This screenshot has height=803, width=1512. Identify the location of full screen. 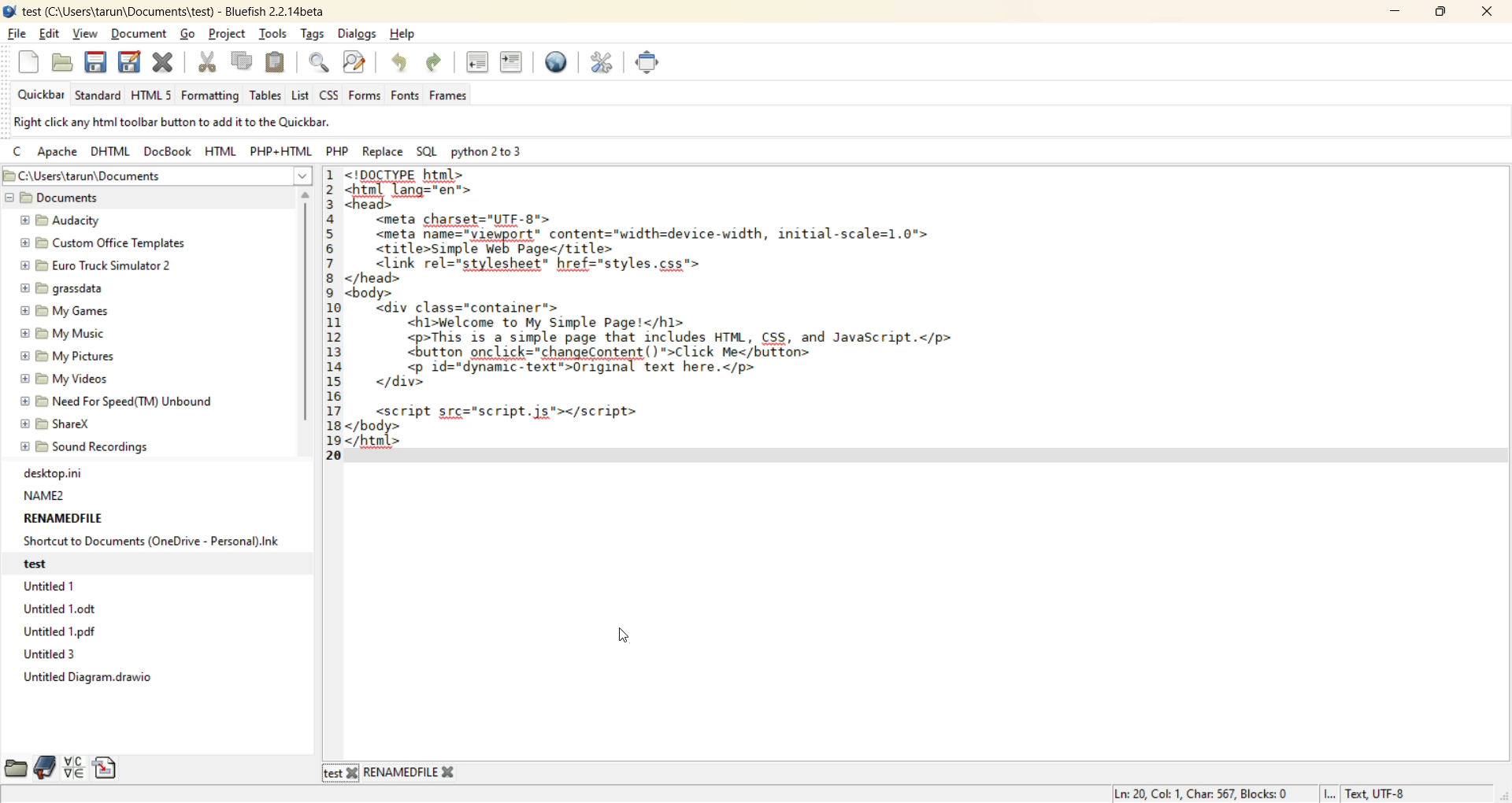
(653, 66).